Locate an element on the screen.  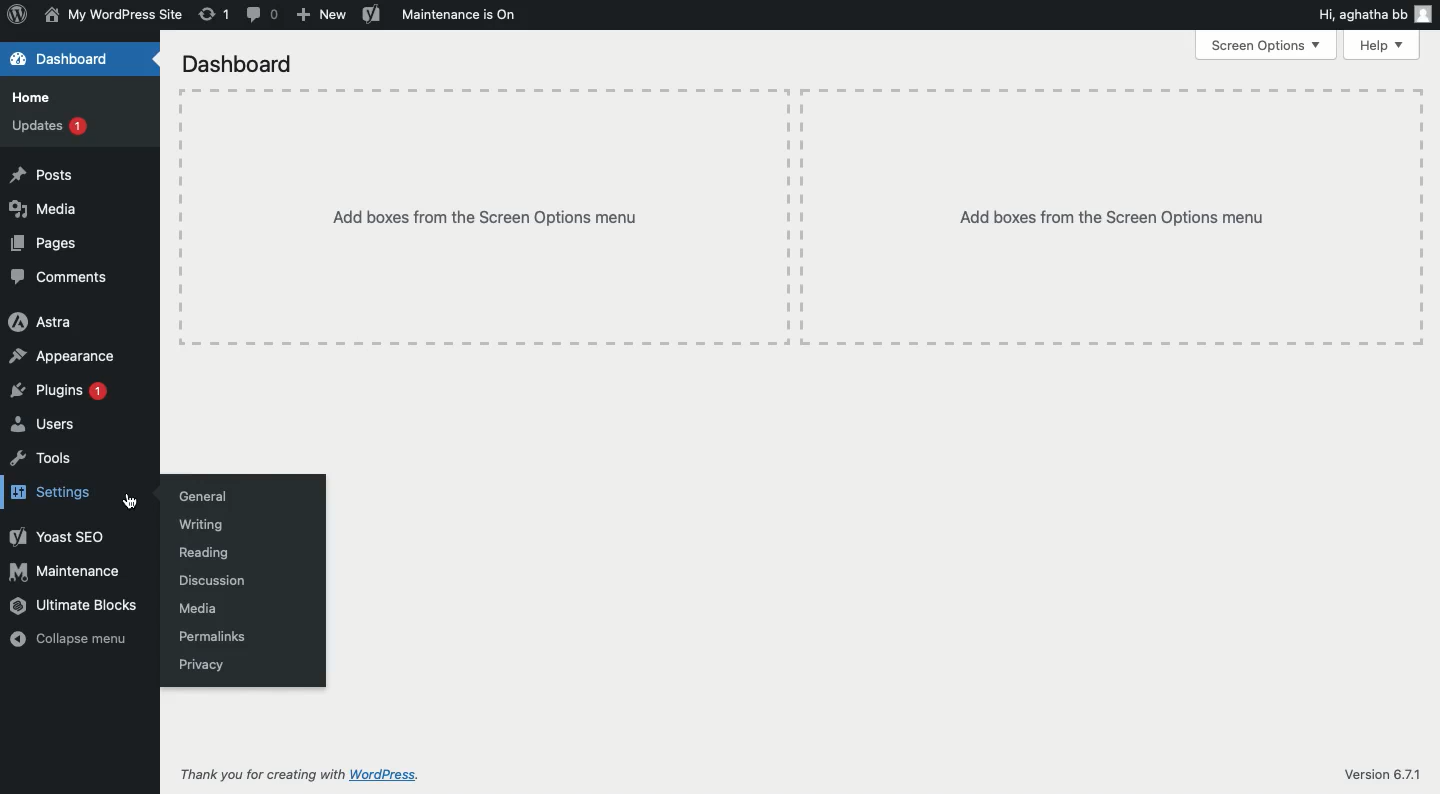
Version 6.7.1 is located at coordinates (1380, 771).